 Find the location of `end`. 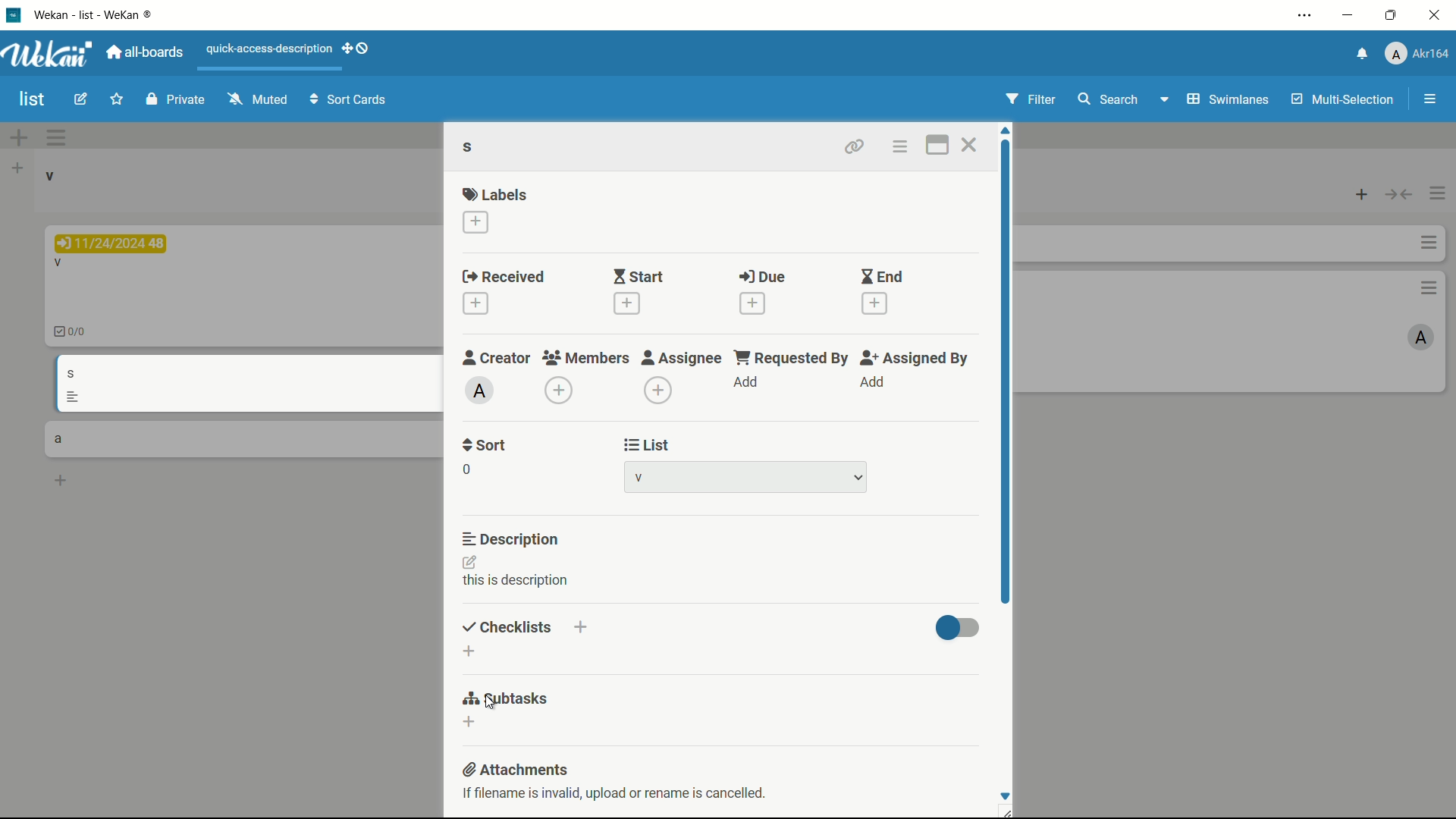

end is located at coordinates (882, 276).